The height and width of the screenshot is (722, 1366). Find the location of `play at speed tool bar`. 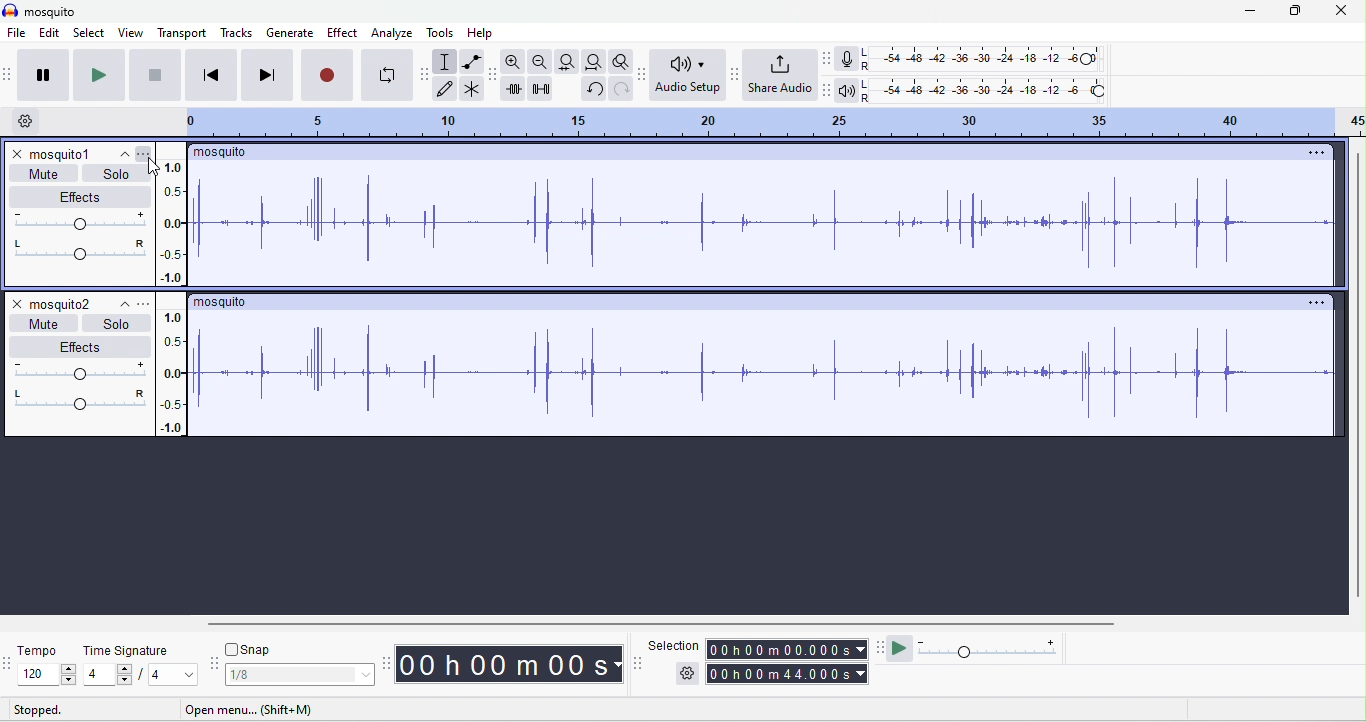

play at speed tool bar is located at coordinates (881, 649).